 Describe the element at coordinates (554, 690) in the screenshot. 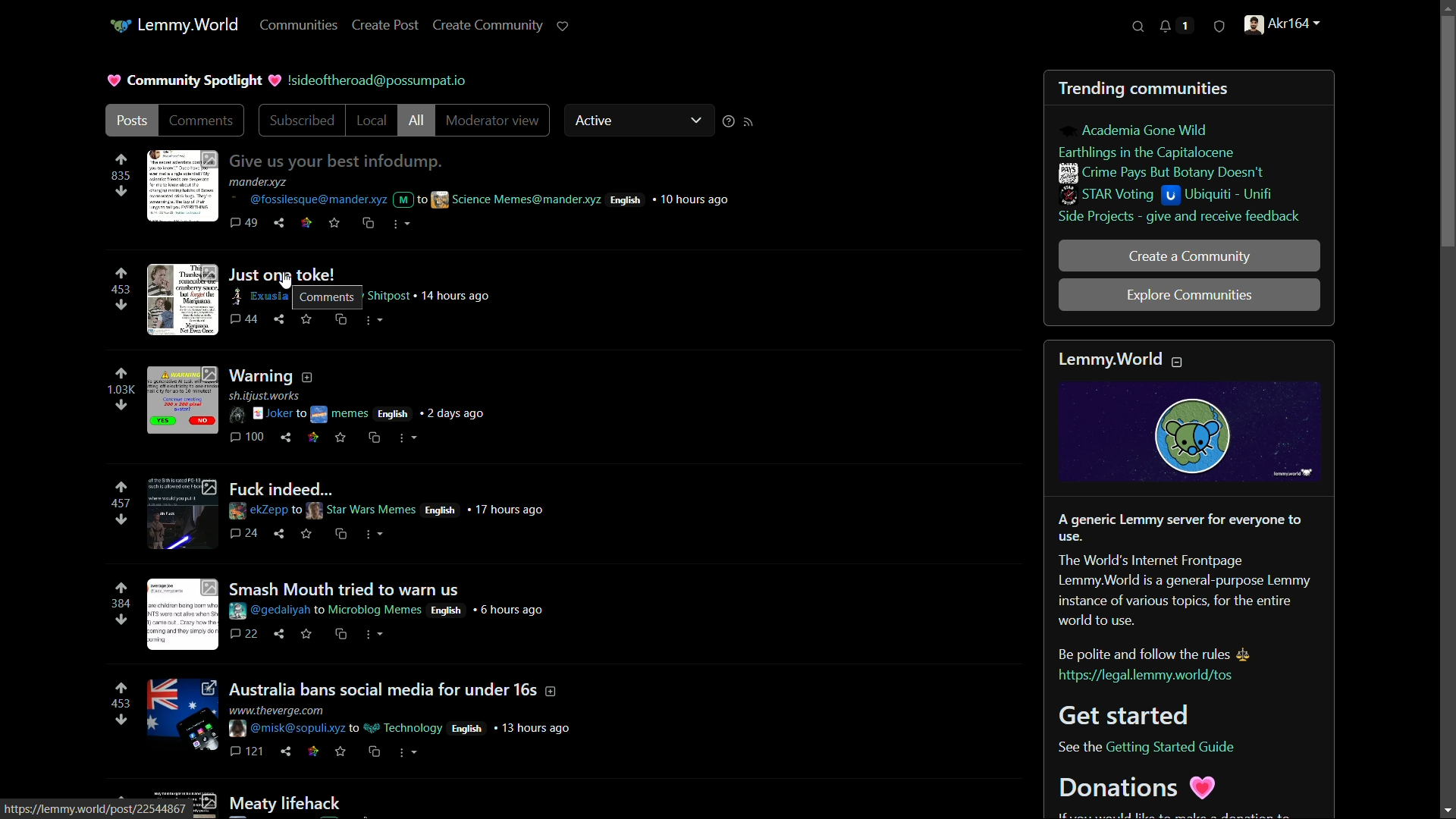

I see `description` at that location.